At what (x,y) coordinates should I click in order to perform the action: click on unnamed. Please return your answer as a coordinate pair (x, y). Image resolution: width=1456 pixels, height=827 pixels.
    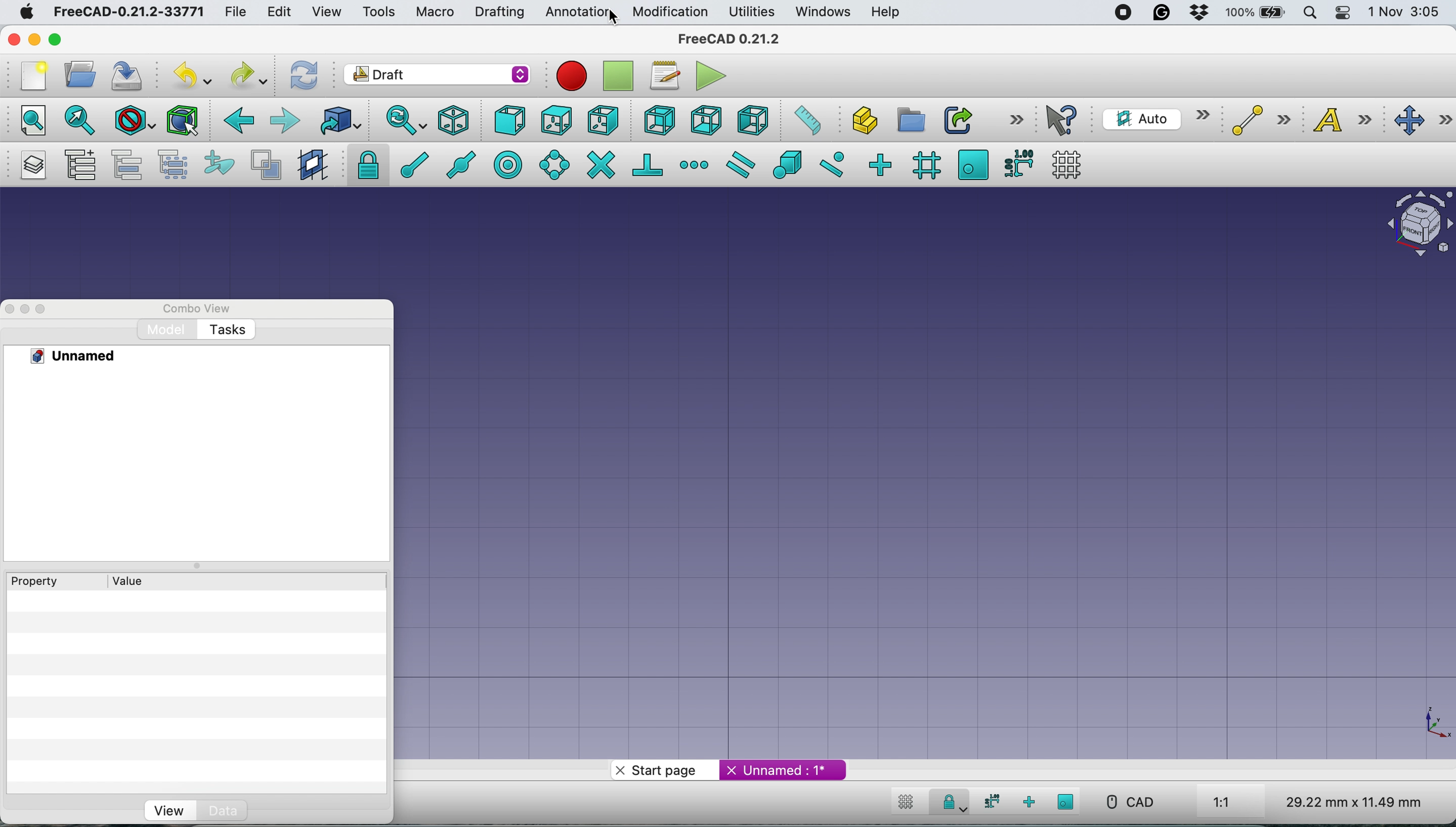
    Looking at the image, I should click on (781, 770).